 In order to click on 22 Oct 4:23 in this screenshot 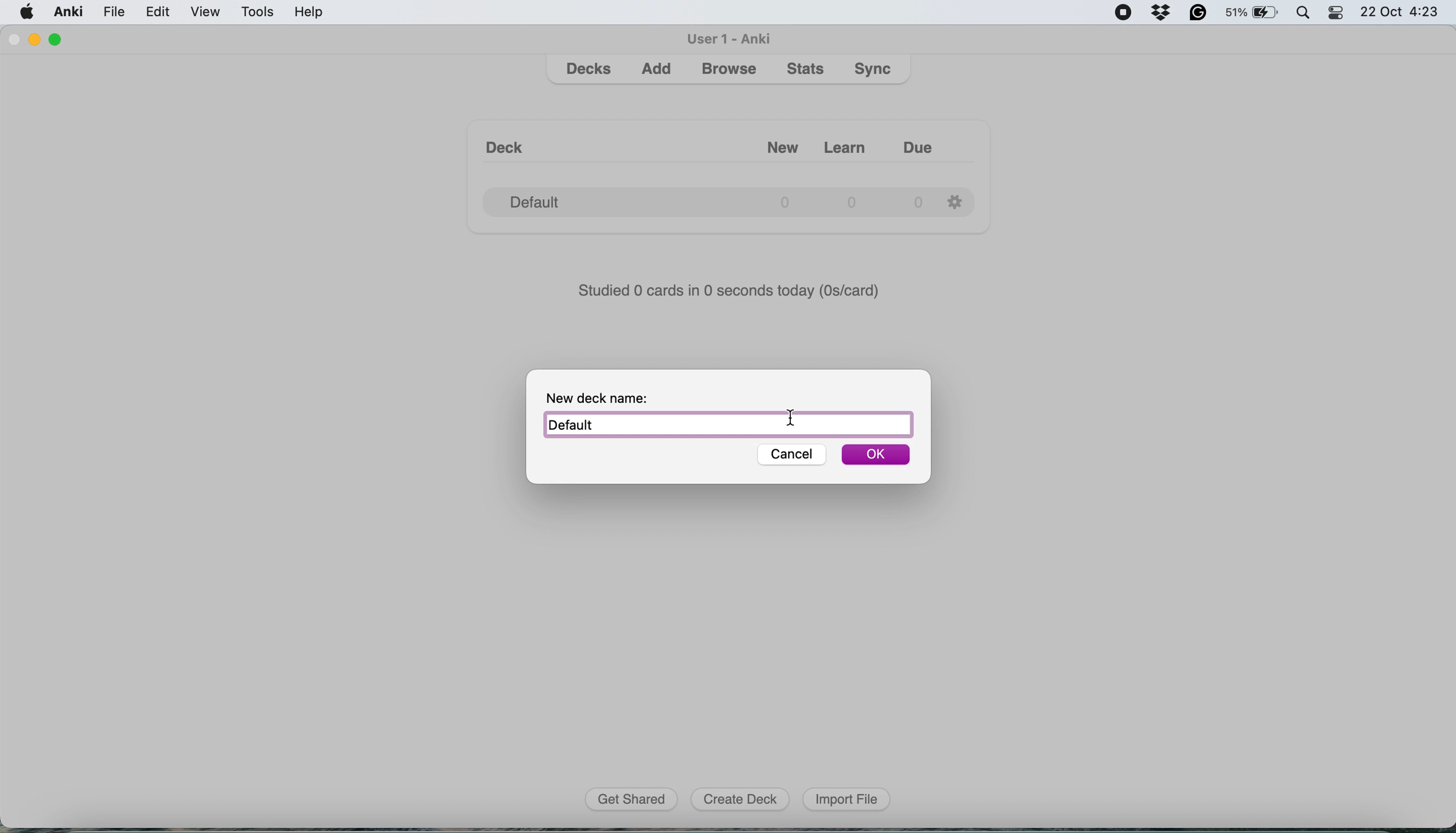, I will do `click(1404, 13)`.